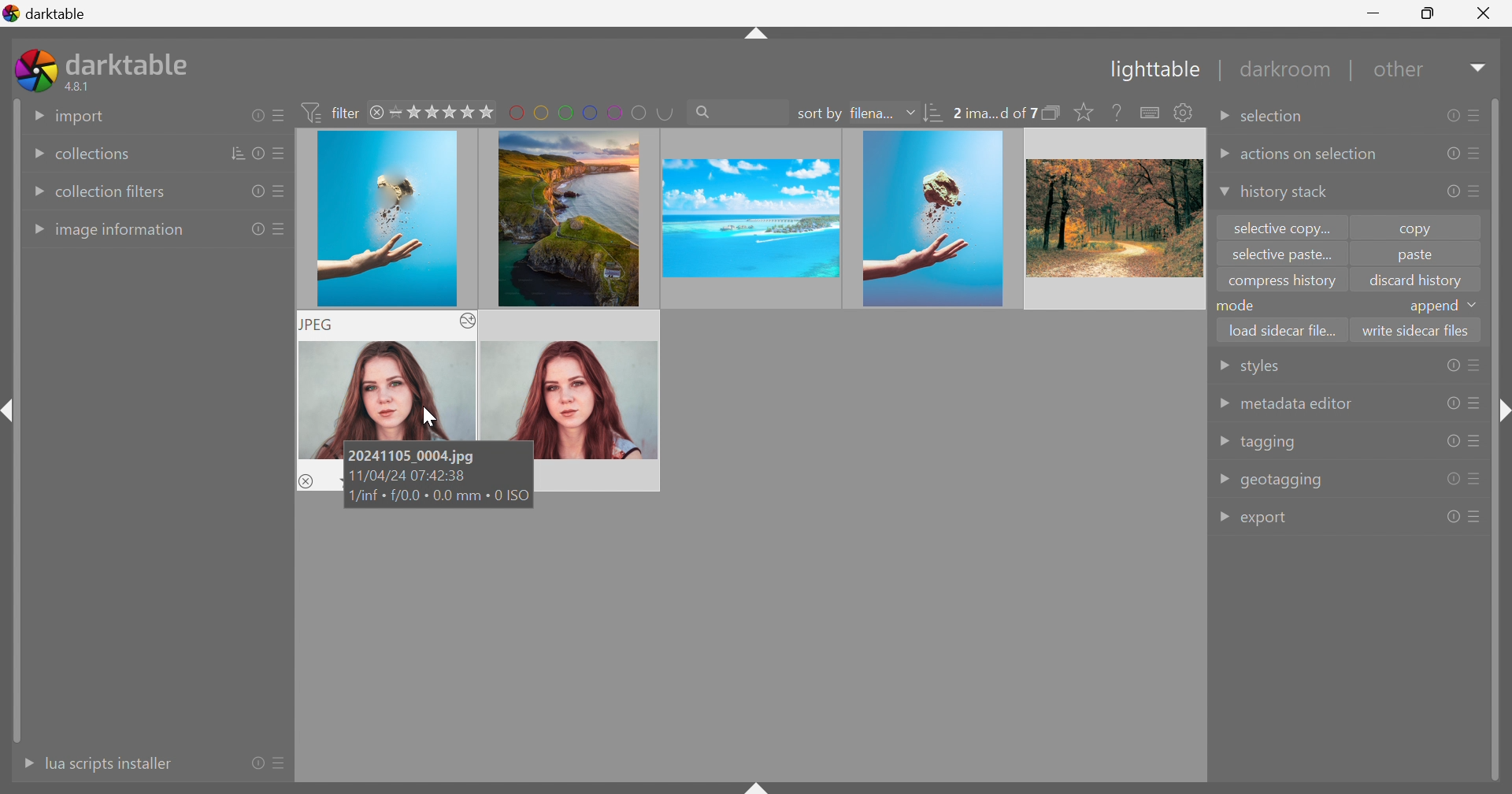  Describe the element at coordinates (1151, 72) in the screenshot. I see `Lighttable` at that location.